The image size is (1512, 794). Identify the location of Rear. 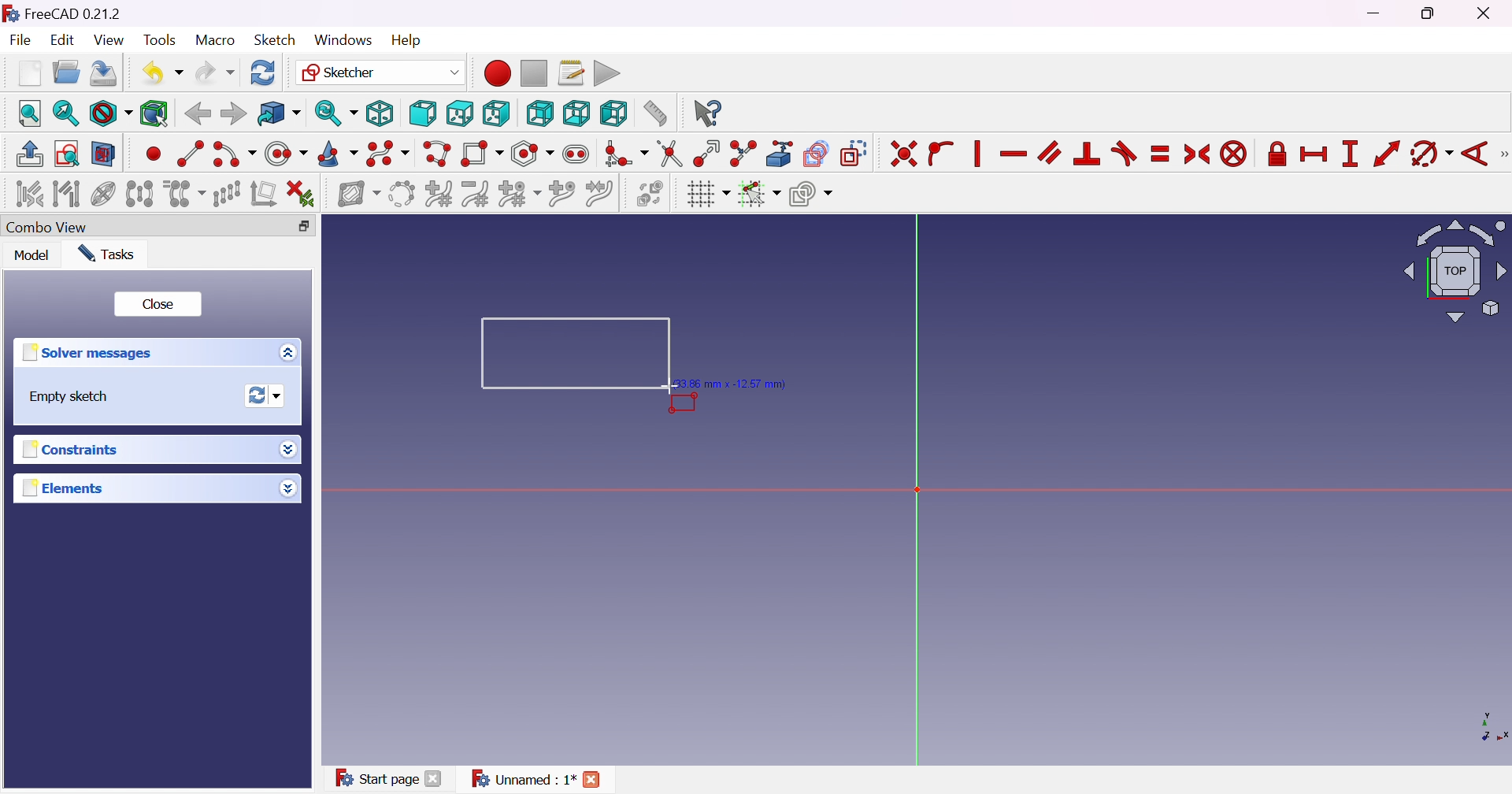
(540, 114).